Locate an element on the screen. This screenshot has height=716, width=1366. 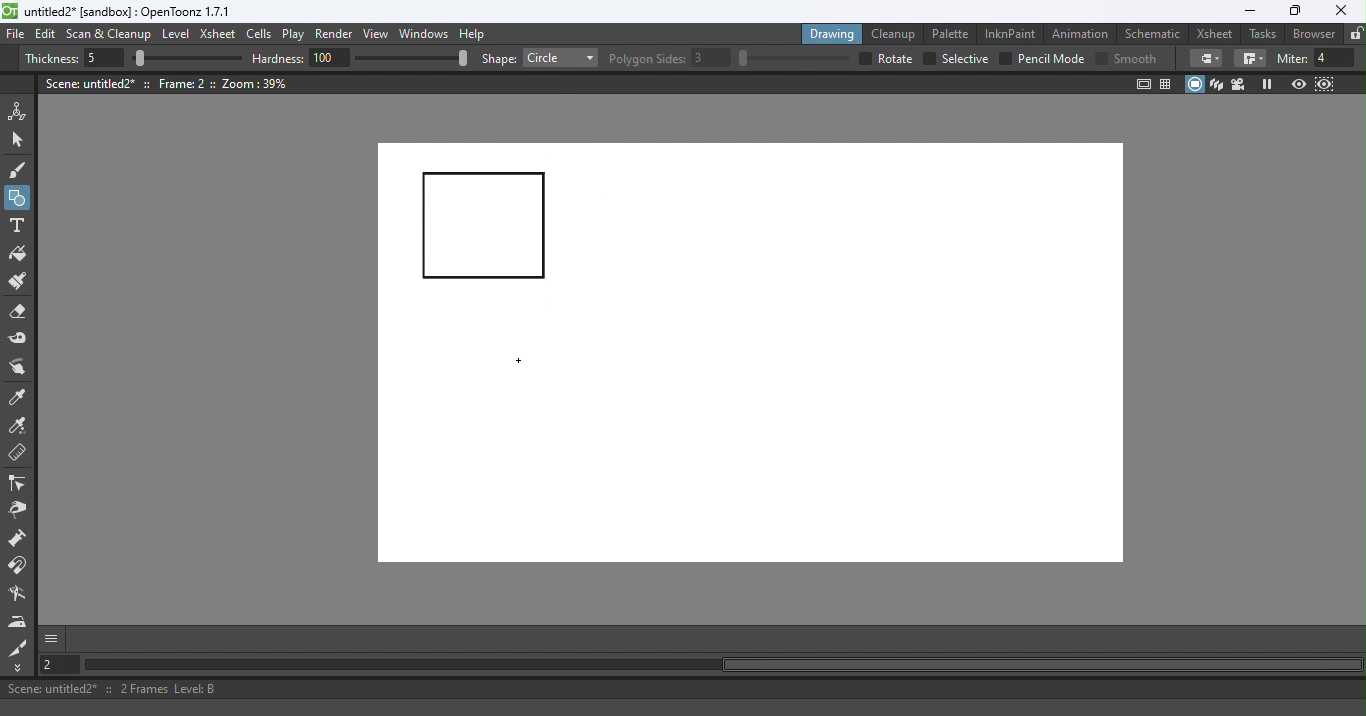
Cutter tool is located at coordinates (18, 647).